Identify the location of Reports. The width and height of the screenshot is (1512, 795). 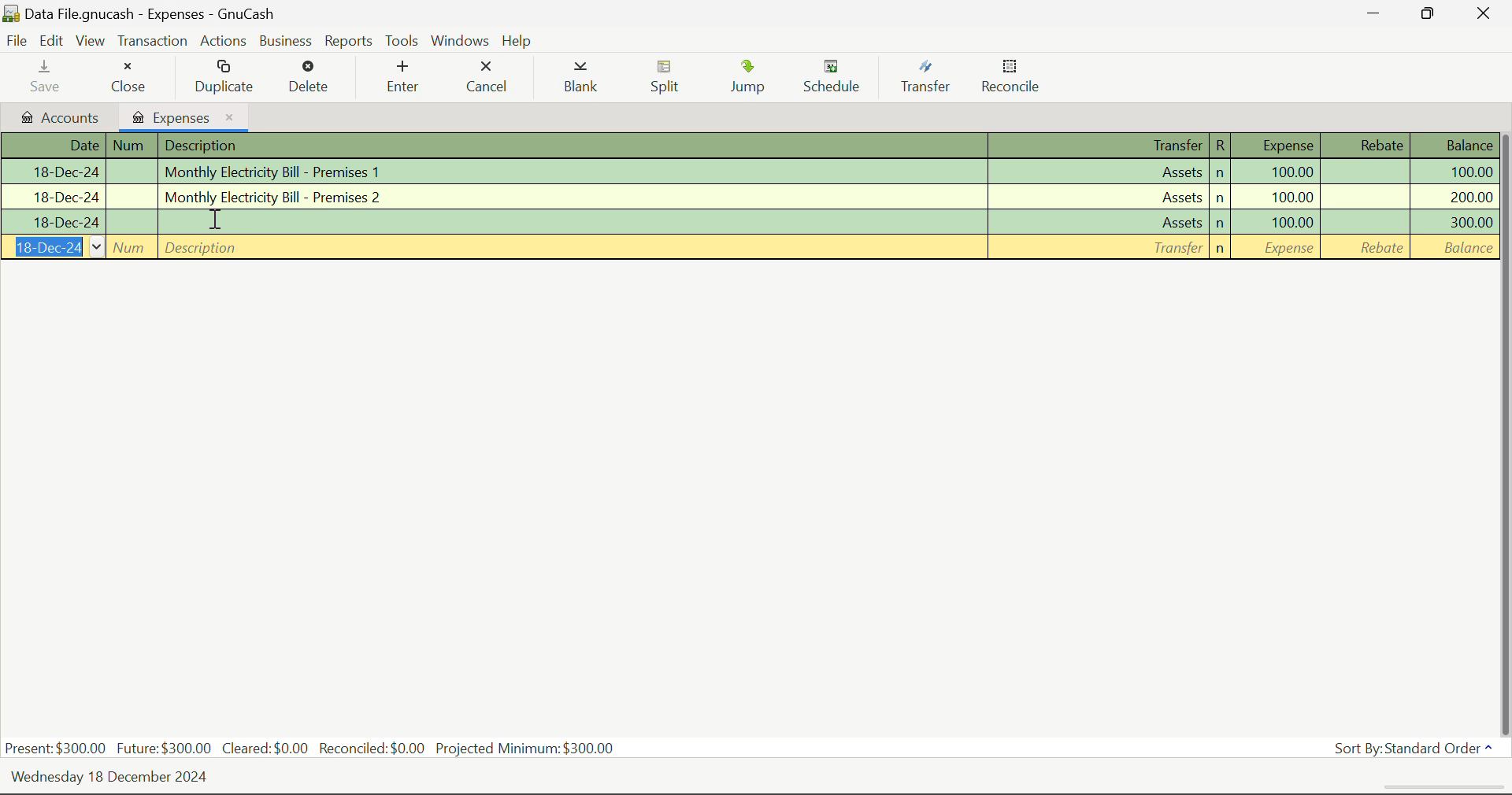
(348, 42).